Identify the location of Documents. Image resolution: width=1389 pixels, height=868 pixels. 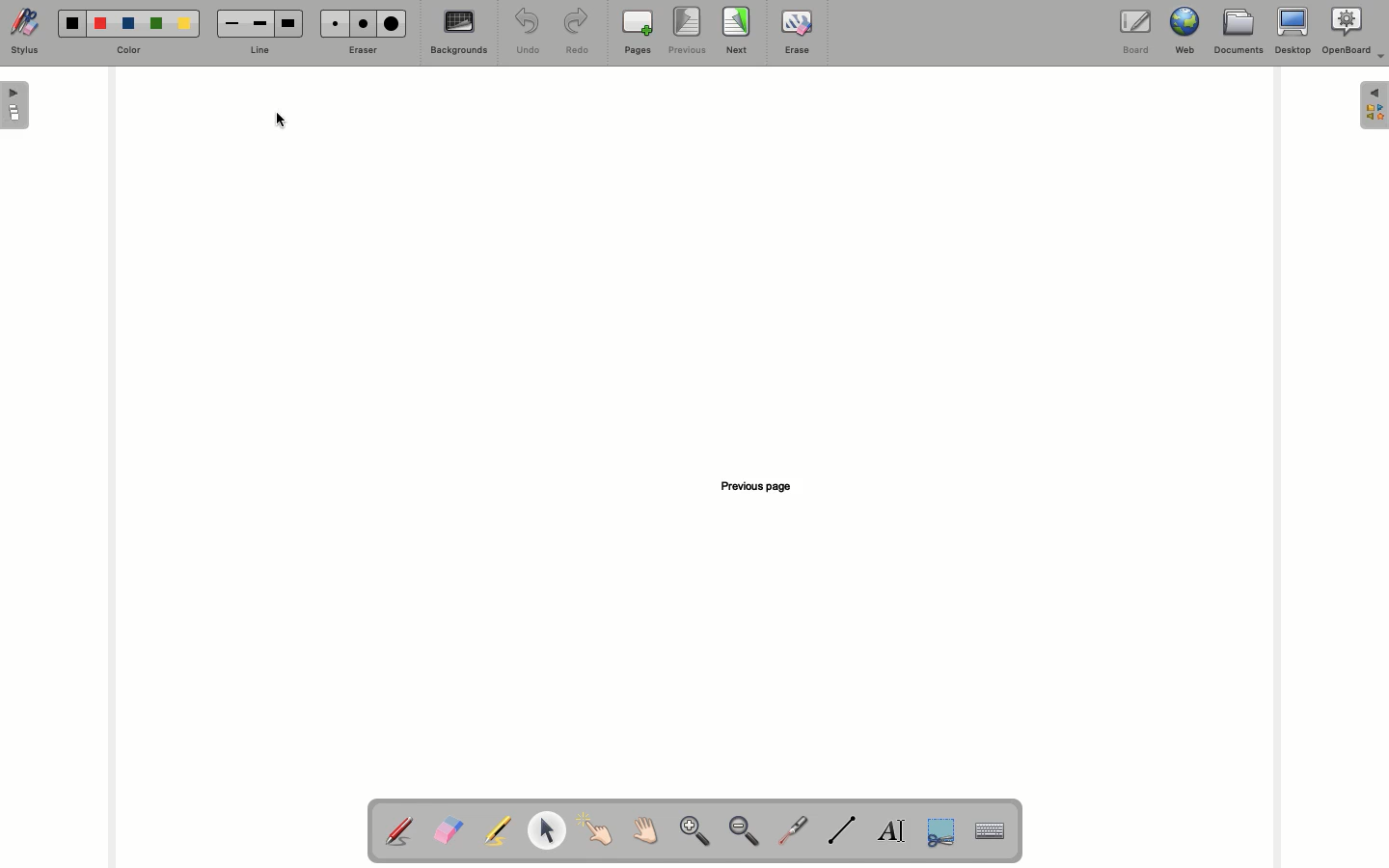
(1237, 32).